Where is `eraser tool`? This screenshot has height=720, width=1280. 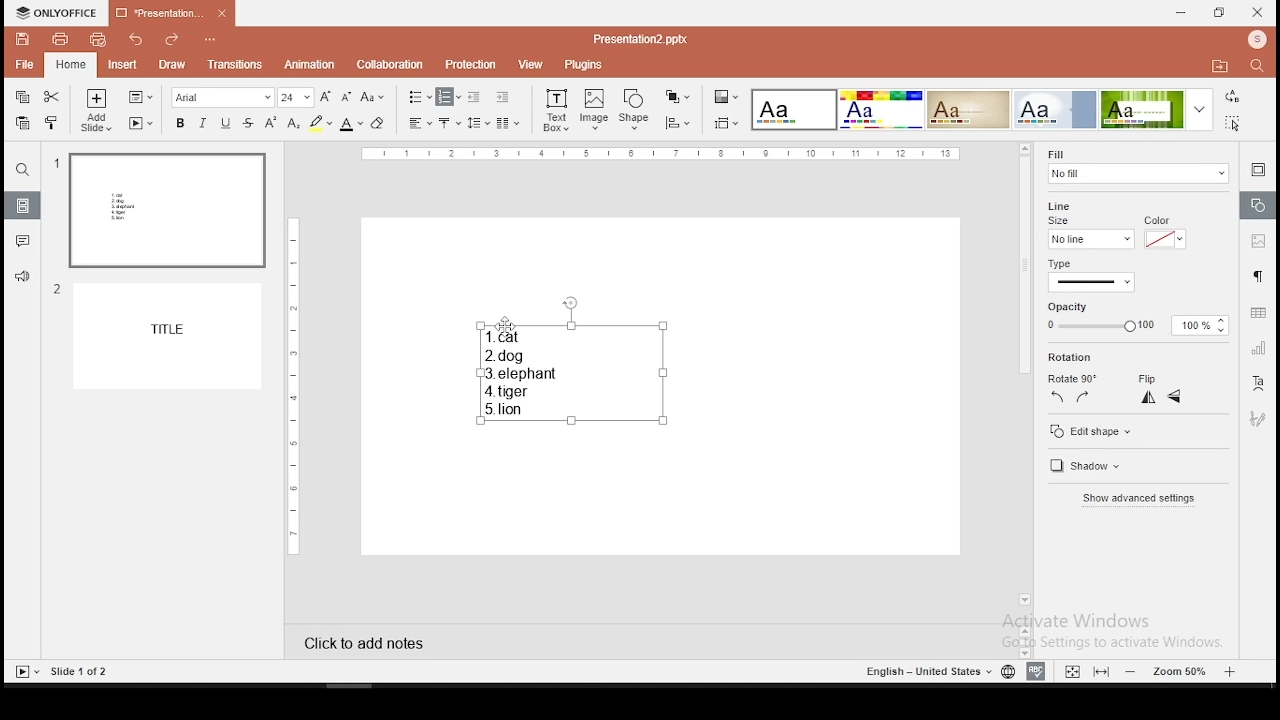 eraser tool is located at coordinates (380, 123).